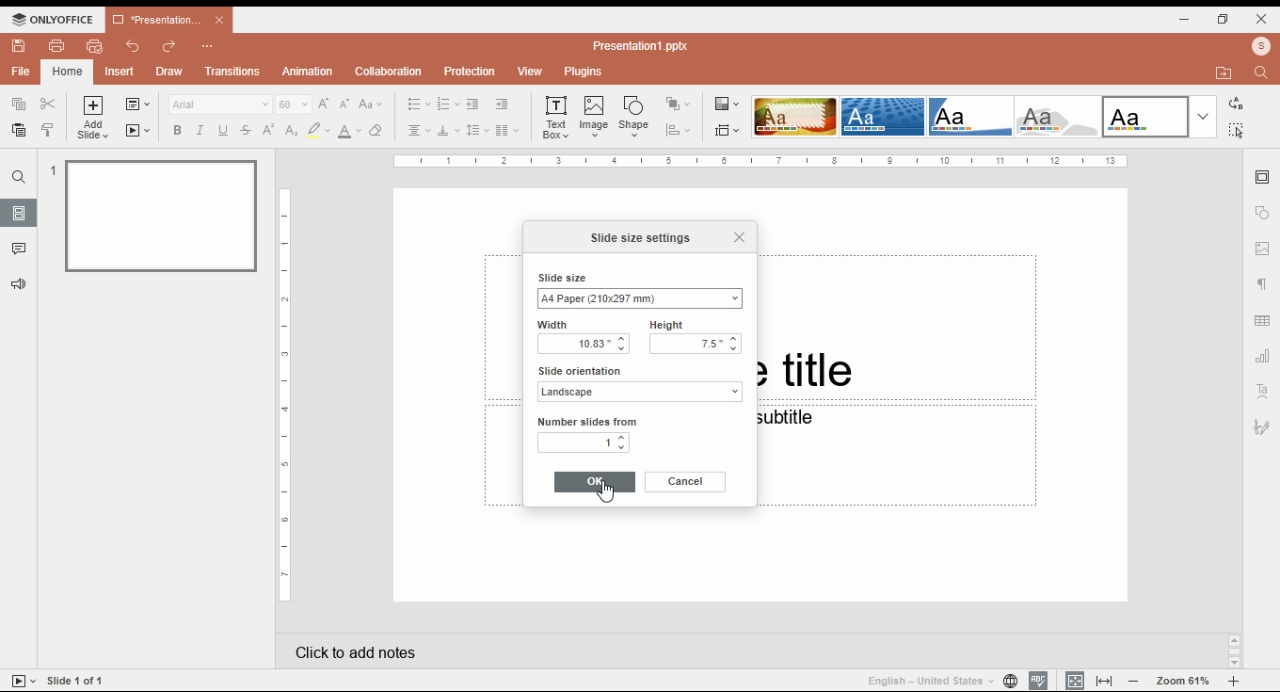  I want to click on text box, so click(558, 116).